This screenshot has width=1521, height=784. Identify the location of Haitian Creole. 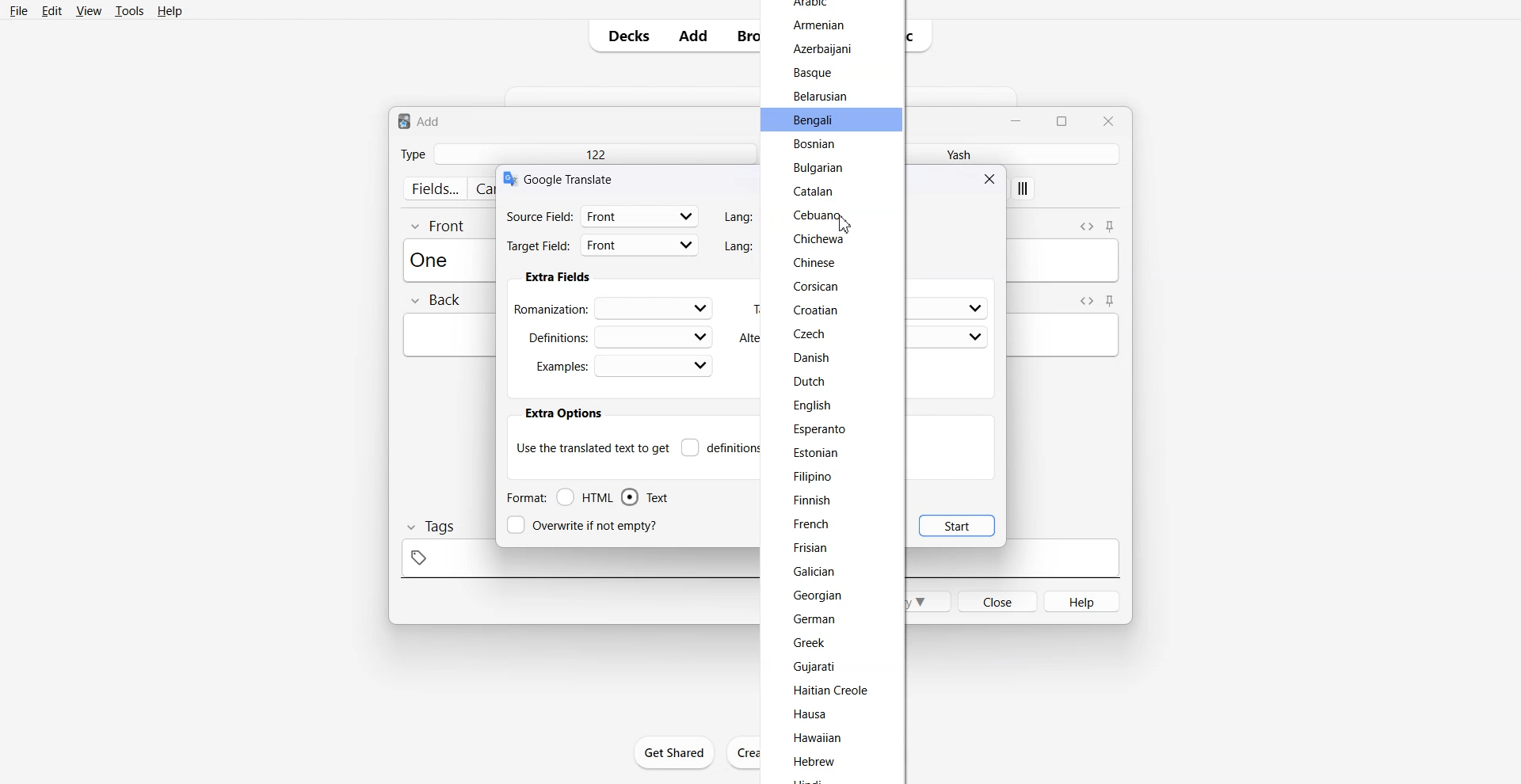
(833, 690).